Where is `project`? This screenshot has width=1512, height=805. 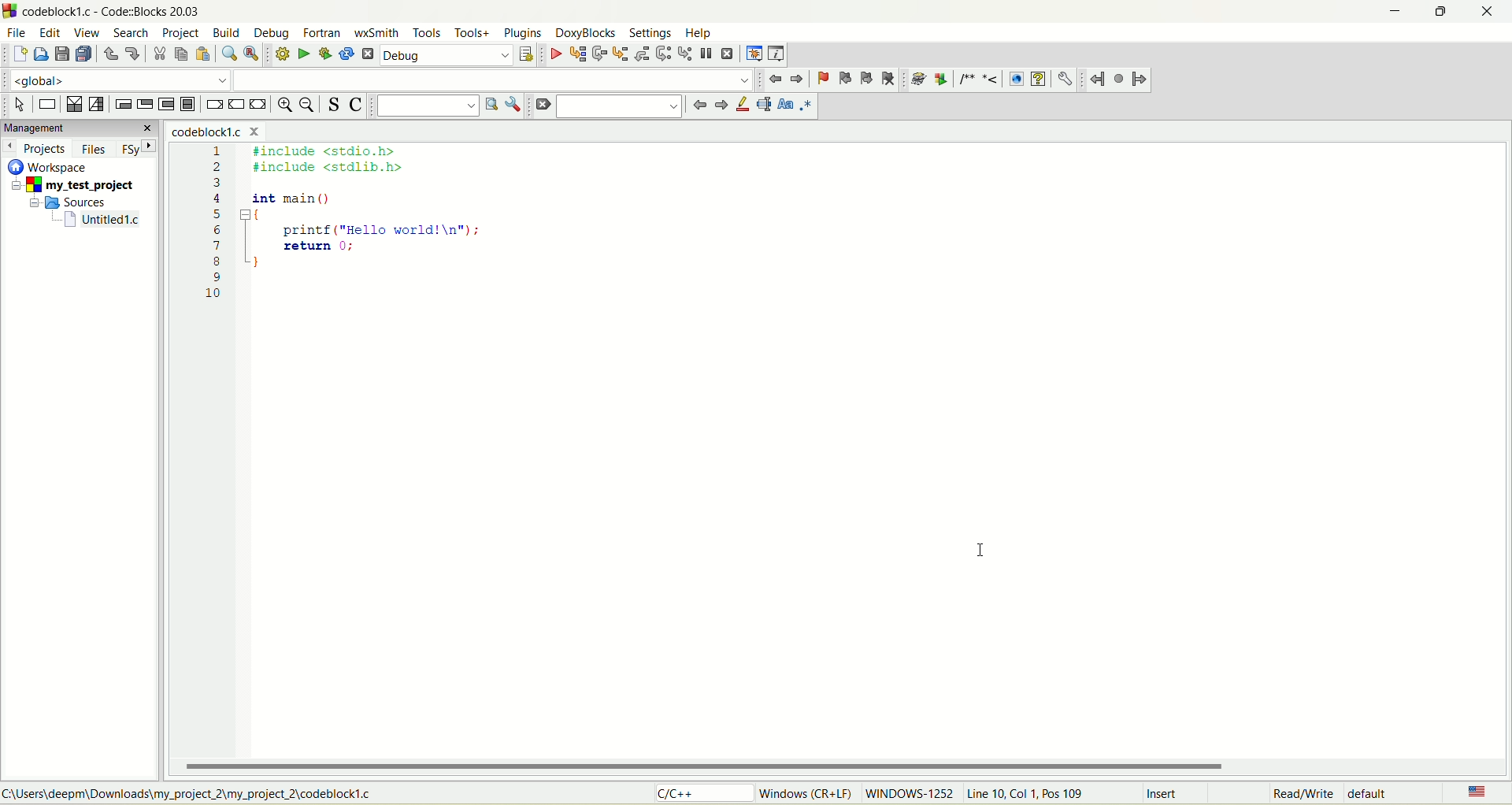
project is located at coordinates (76, 186).